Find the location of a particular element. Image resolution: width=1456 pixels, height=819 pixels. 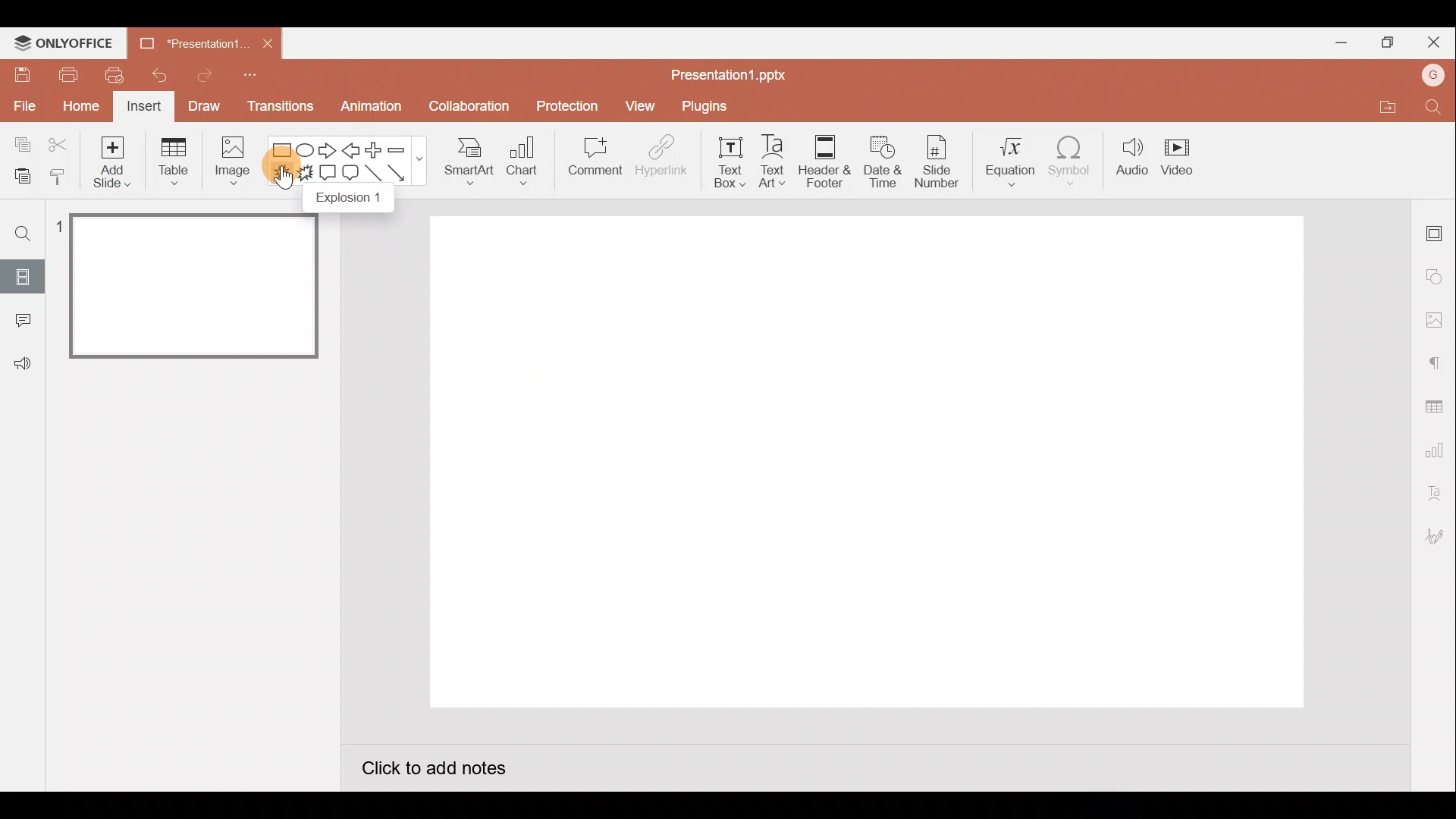

Maximize is located at coordinates (1384, 42).